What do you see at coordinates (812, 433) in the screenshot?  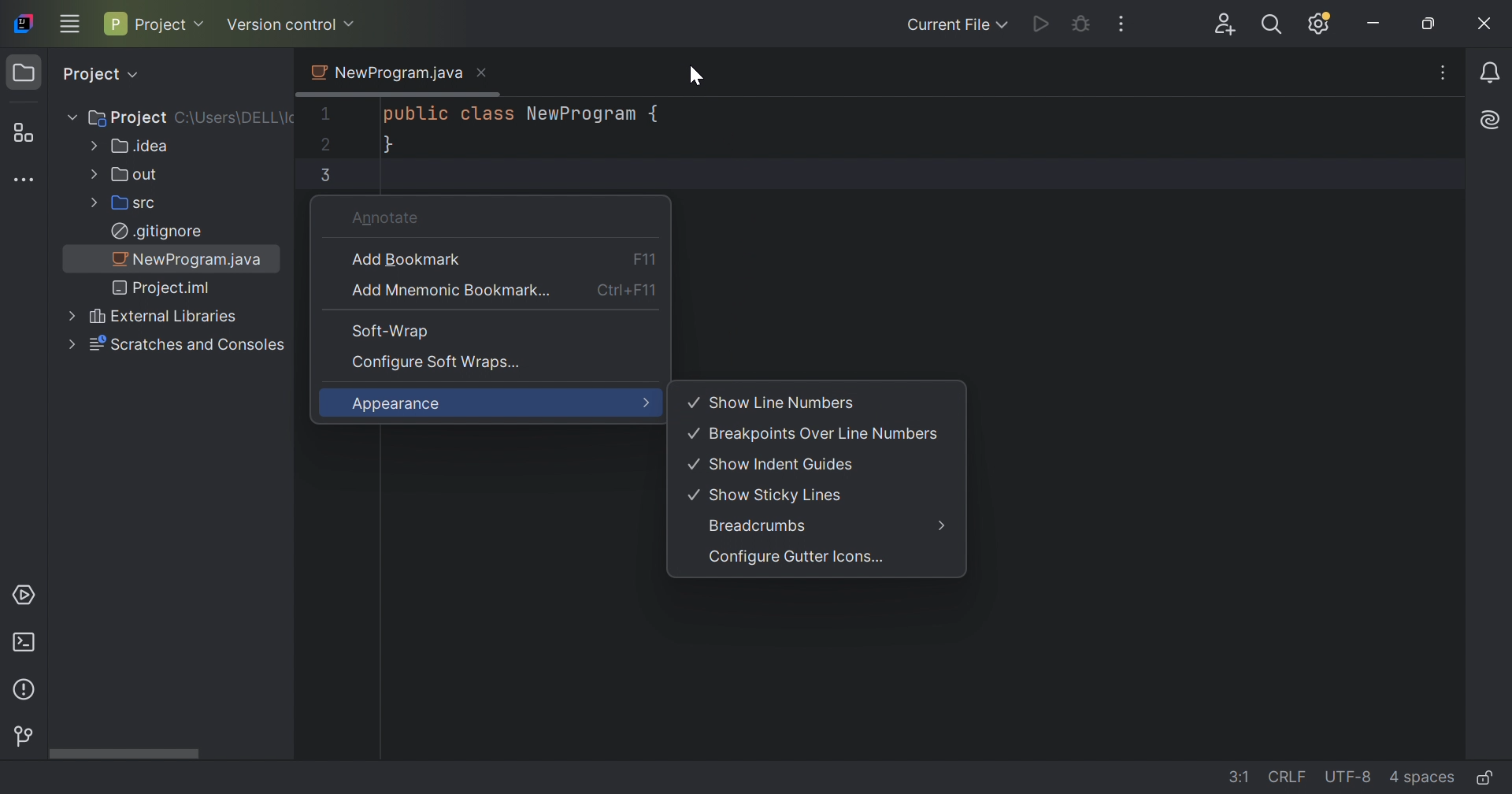 I see `Breakpoints Over Line Numbers` at bounding box center [812, 433].